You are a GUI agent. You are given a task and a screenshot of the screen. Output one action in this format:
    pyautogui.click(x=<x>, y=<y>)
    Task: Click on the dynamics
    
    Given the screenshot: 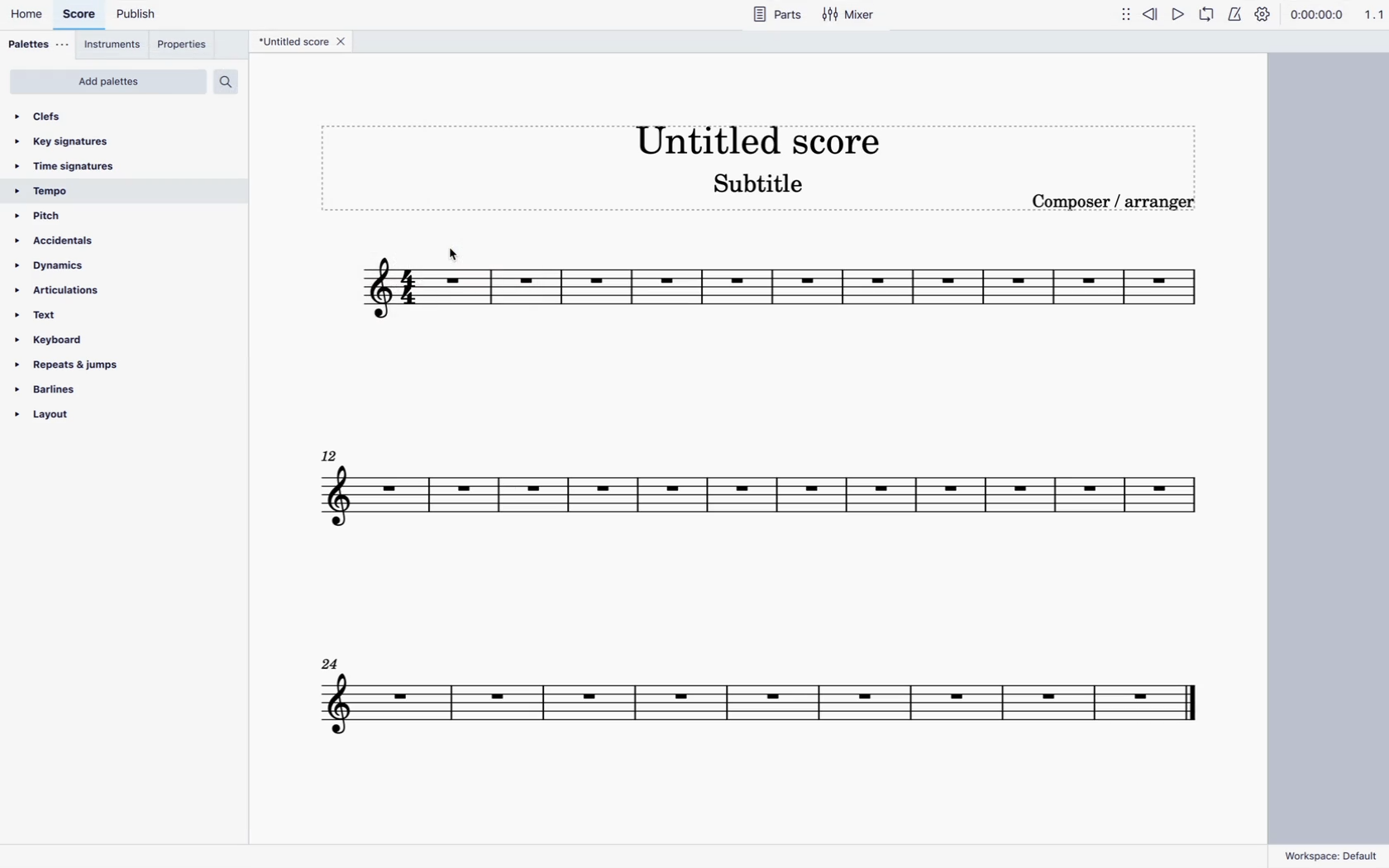 What is the action you would take?
    pyautogui.click(x=68, y=265)
    